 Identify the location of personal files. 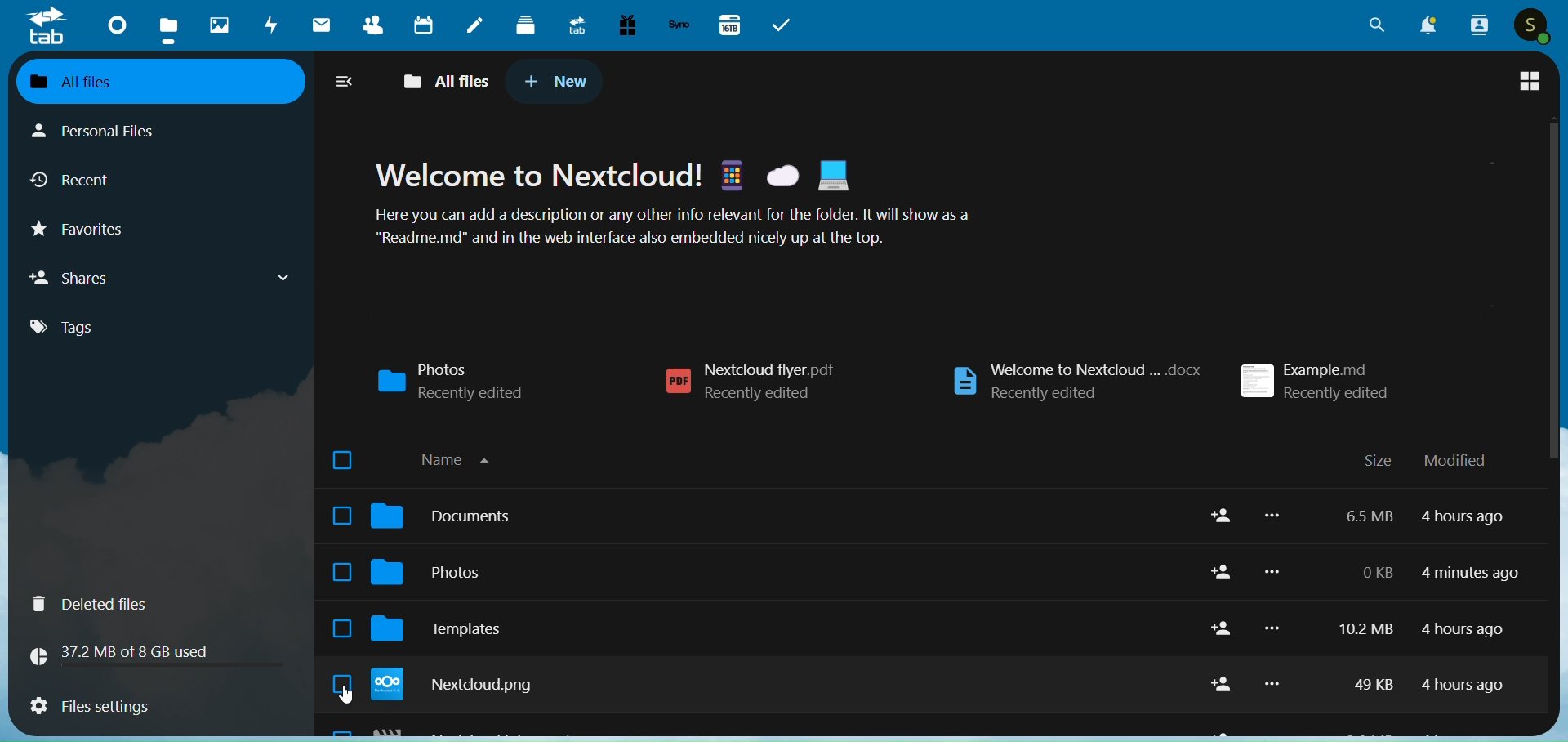
(111, 133).